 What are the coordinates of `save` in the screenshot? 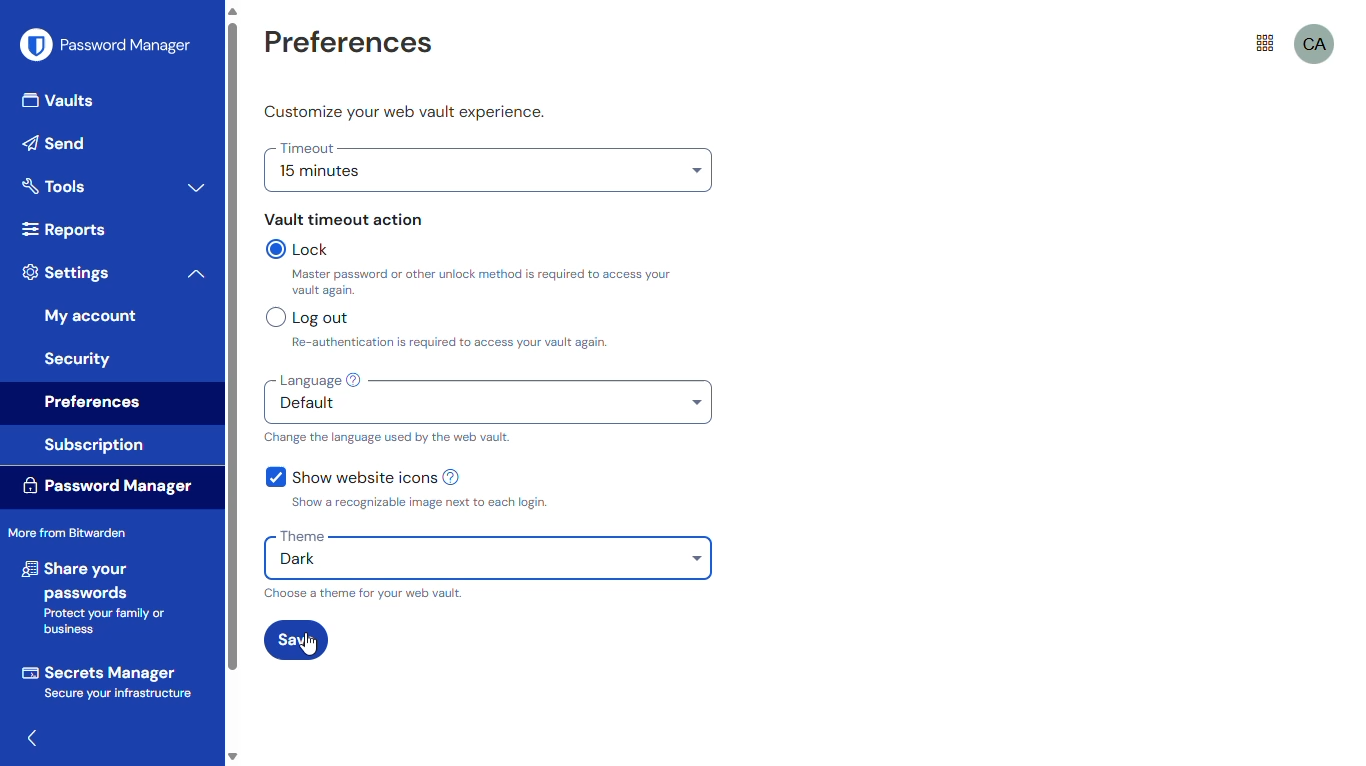 It's located at (295, 639).